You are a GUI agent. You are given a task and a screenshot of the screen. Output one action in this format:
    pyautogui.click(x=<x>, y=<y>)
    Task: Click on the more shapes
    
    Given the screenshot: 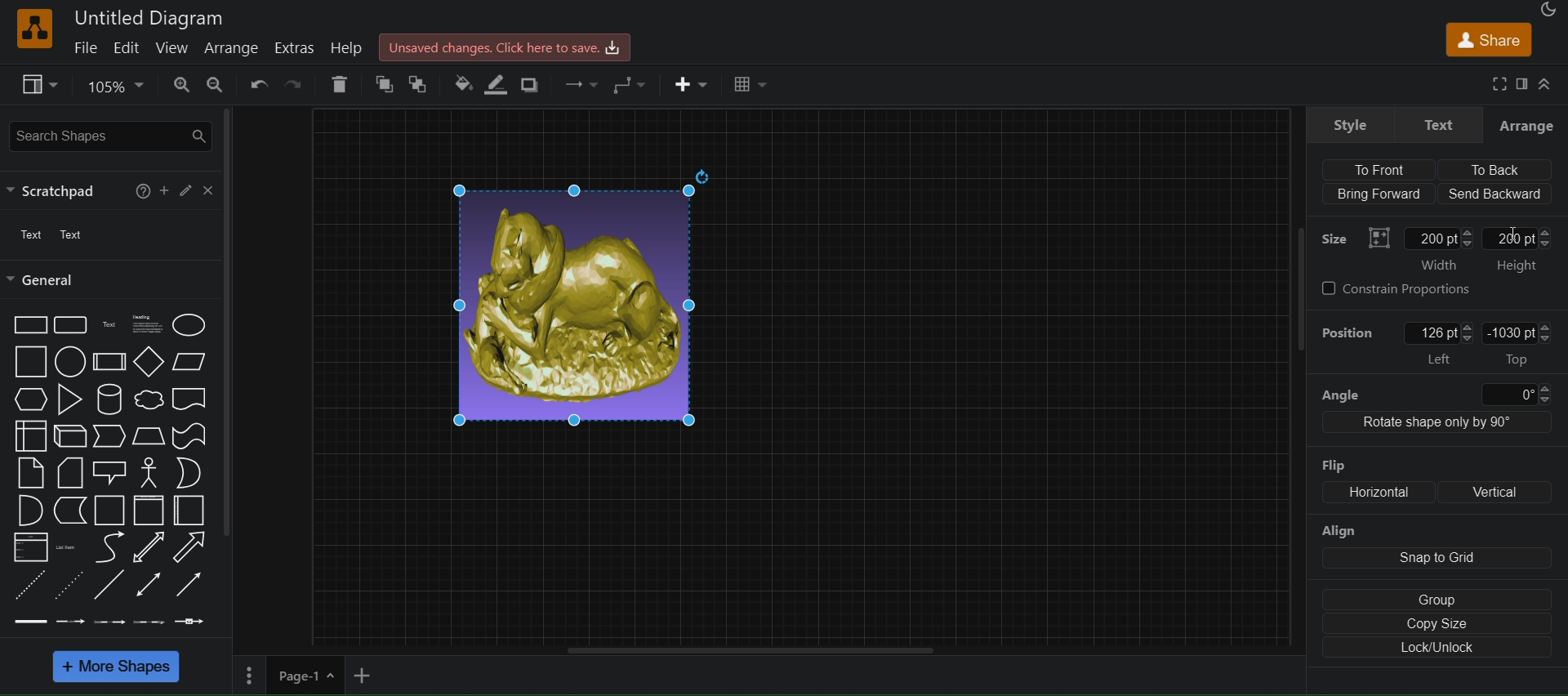 What is the action you would take?
    pyautogui.click(x=119, y=668)
    